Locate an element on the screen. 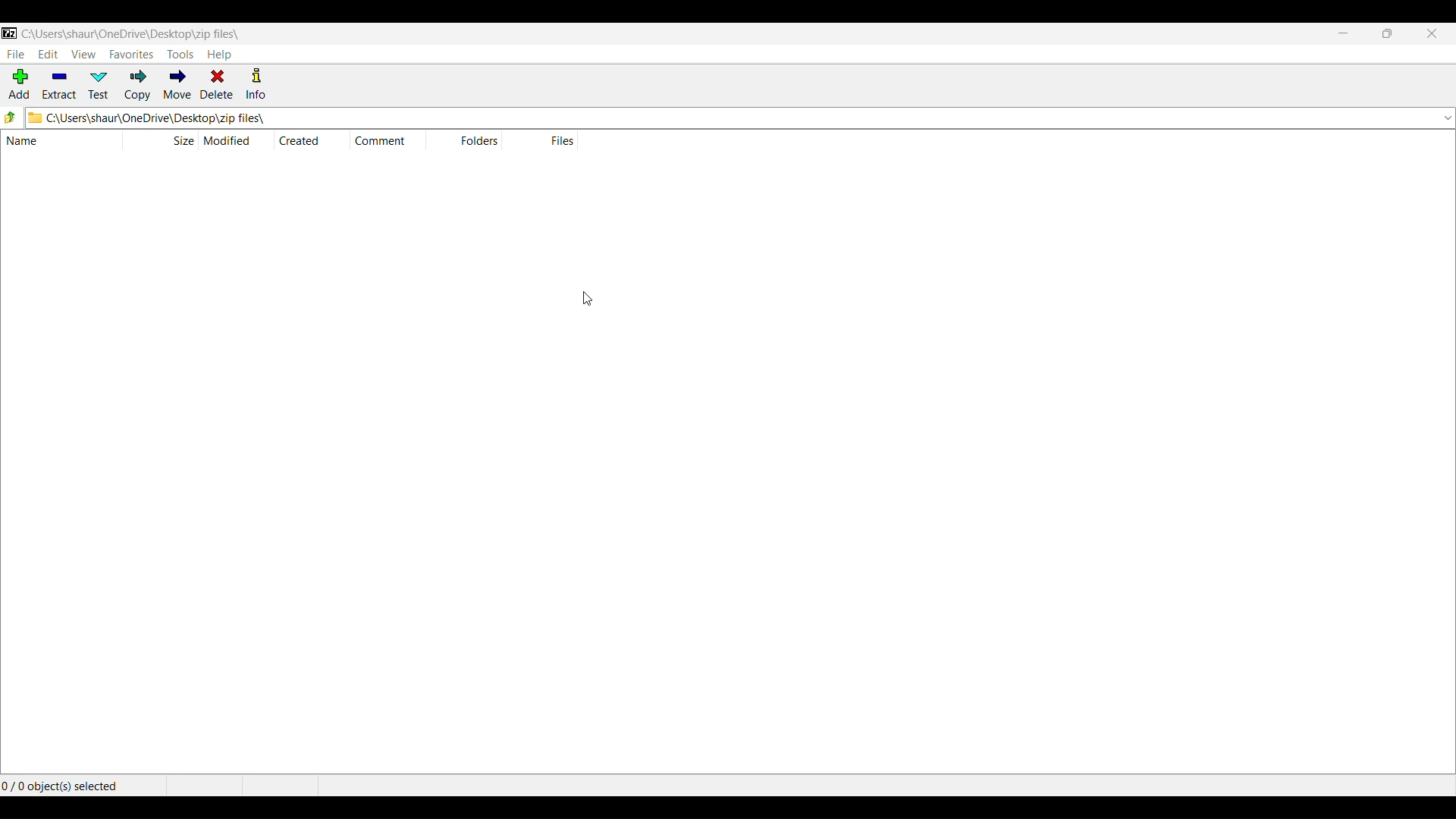 Image resolution: width=1456 pixels, height=819 pixels. AVAILABLE FOLDERS is located at coordinates (1445, 118).